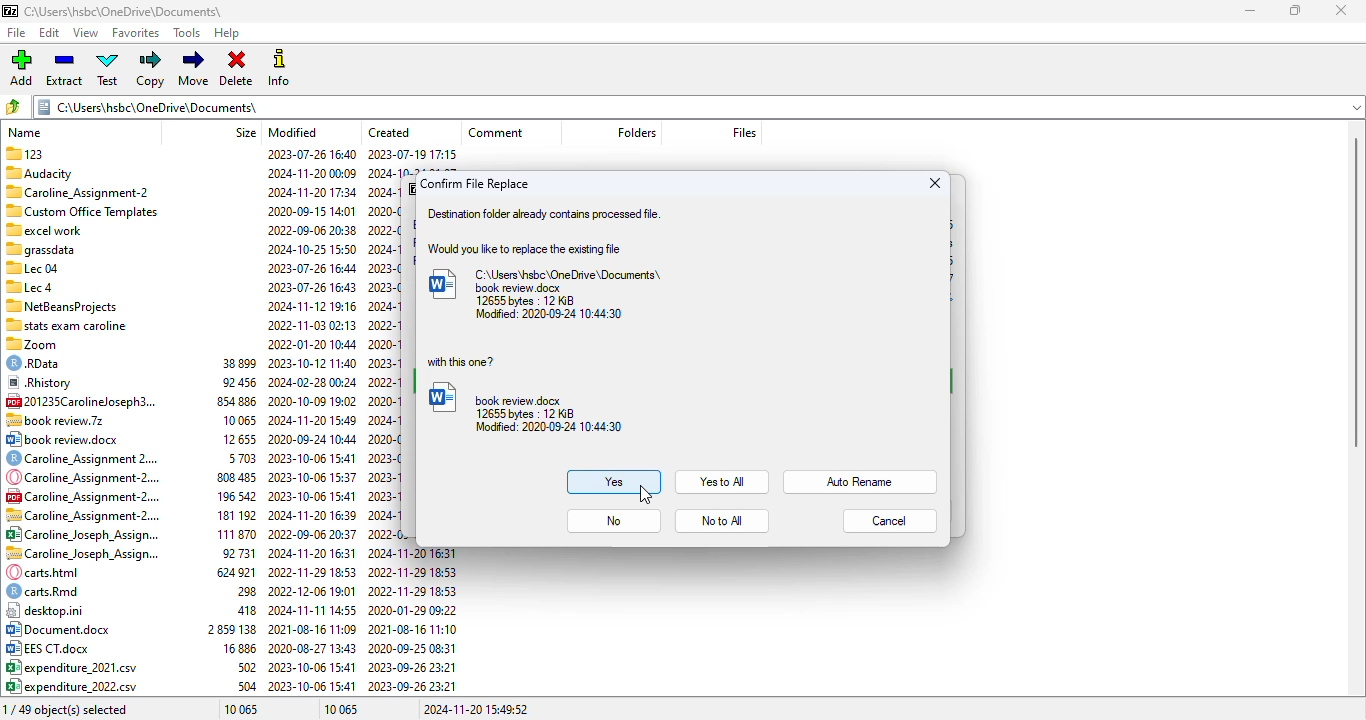 The width and height of the screenshot is (1366, 720). Describe the element at coordinates (475, 185) in the screenshot. I see `confirm file replace` at that location.